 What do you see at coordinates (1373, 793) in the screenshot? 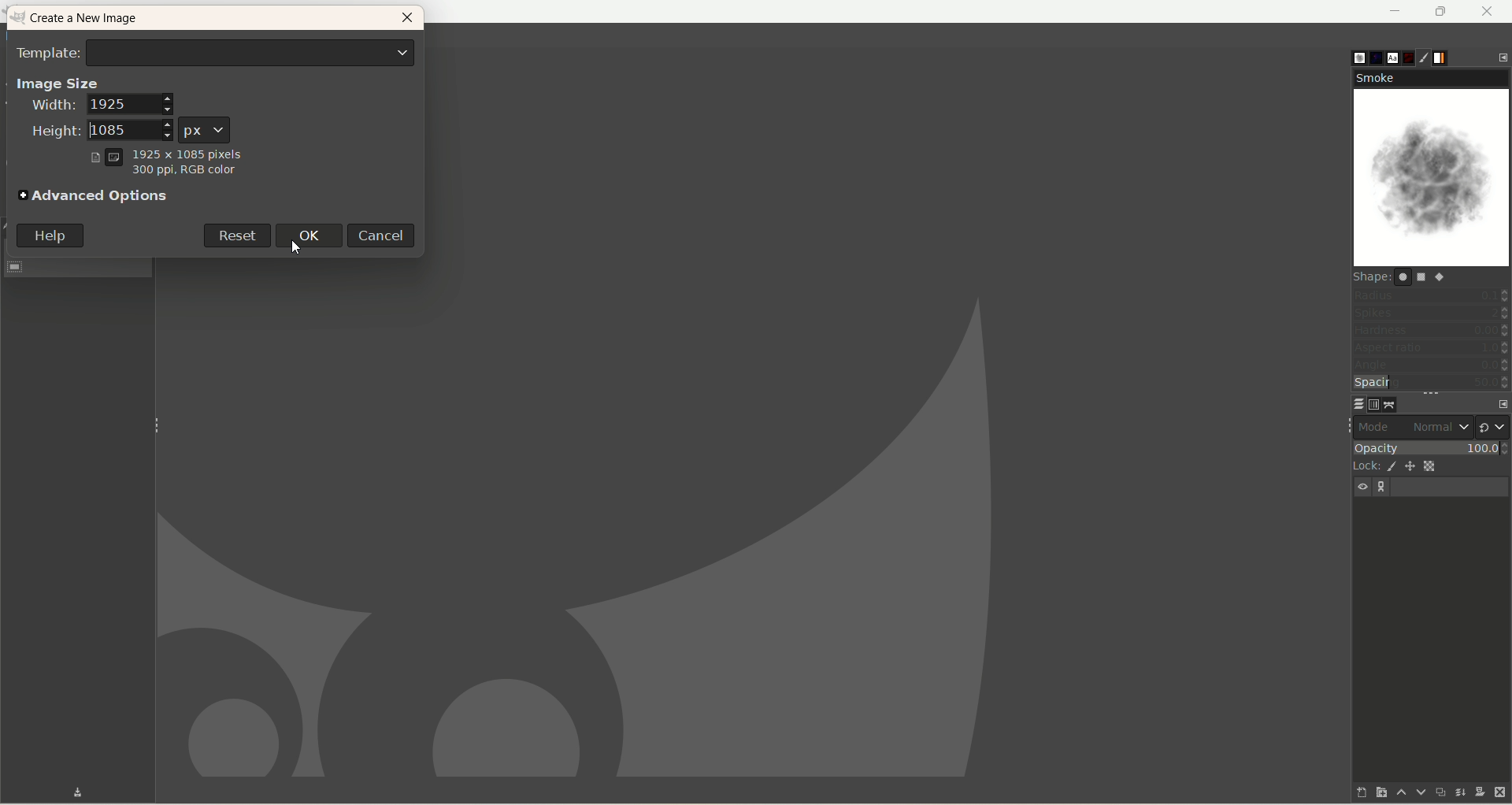
I see `create a new layer group and add it to image` at bounding box center [1373, 793].